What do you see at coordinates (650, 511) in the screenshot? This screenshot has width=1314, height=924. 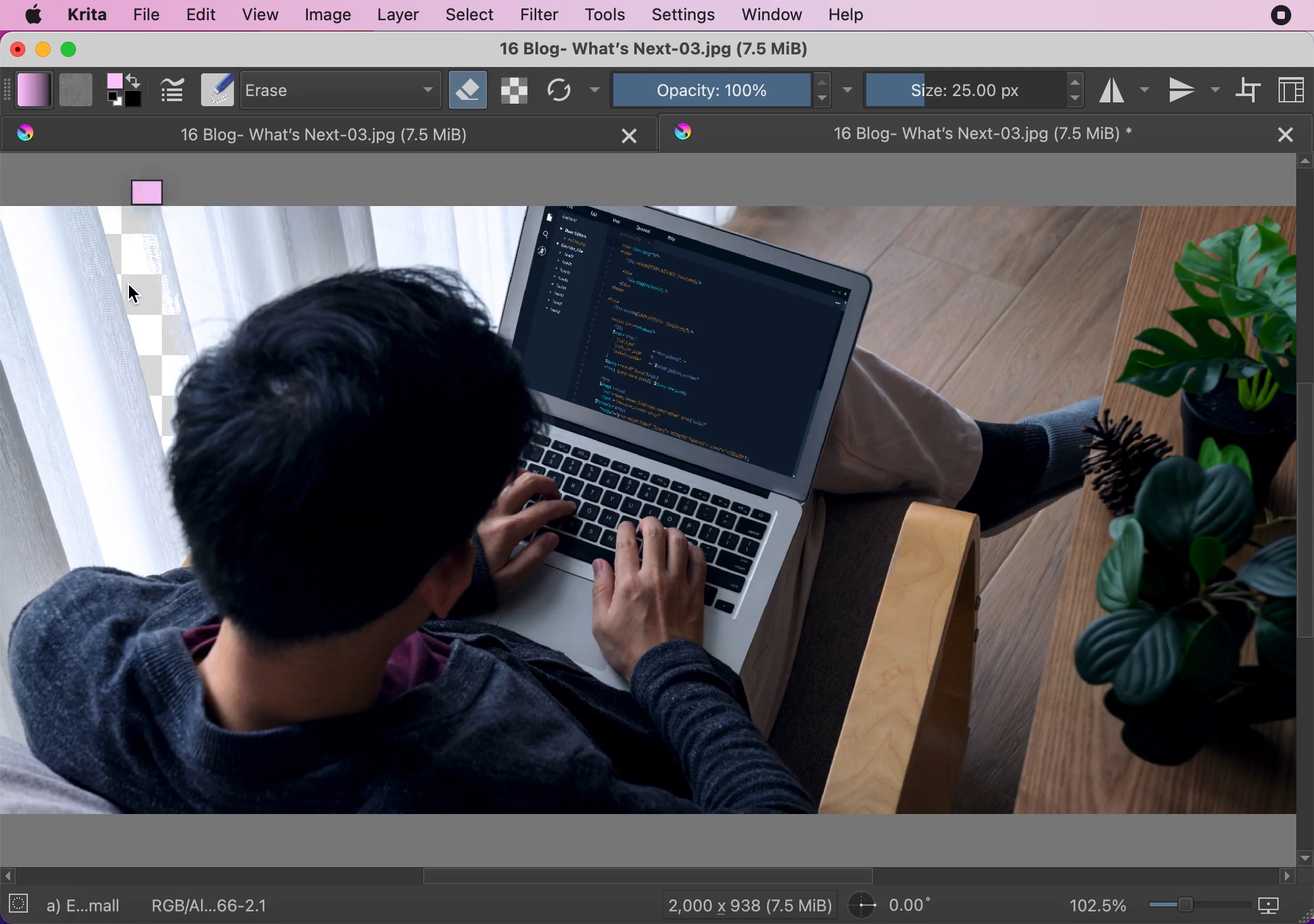 I see `Image` at bounding box center [650, 511].